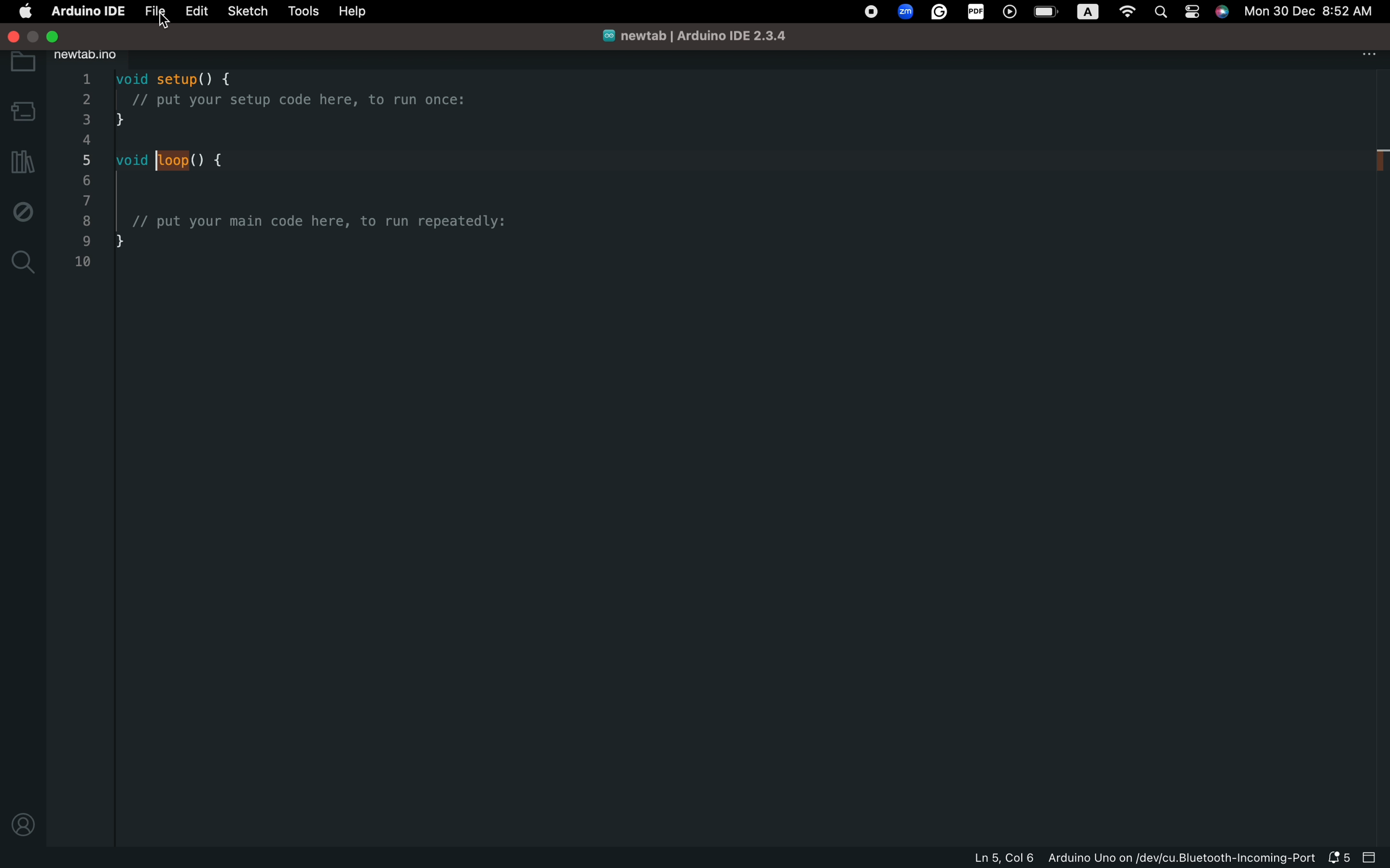 The height and width of the screenshot is (868, 1390). I want to click on battery, so click(1047, 12).